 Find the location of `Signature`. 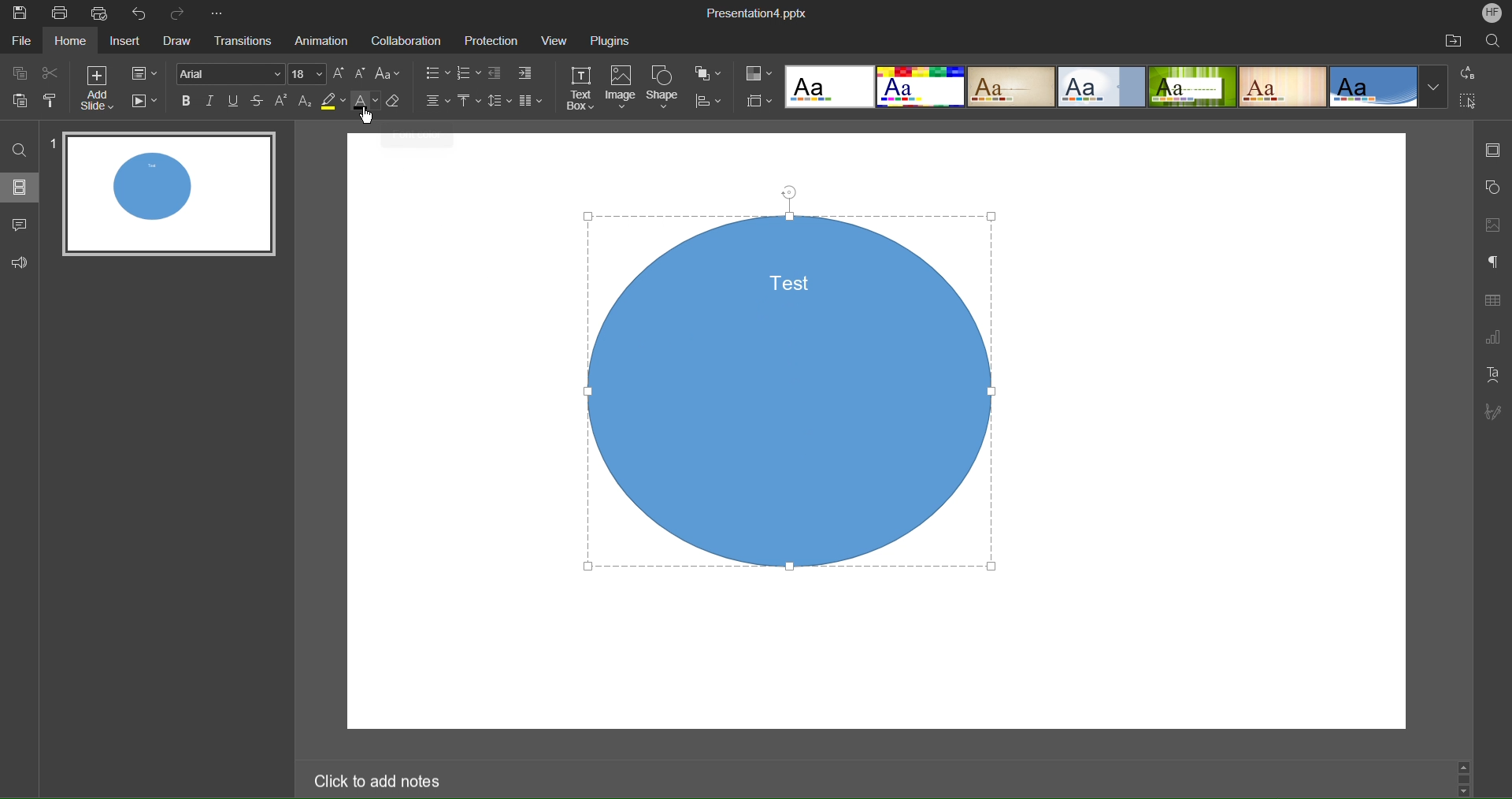

Signature is located at coordinates (1492, 414).